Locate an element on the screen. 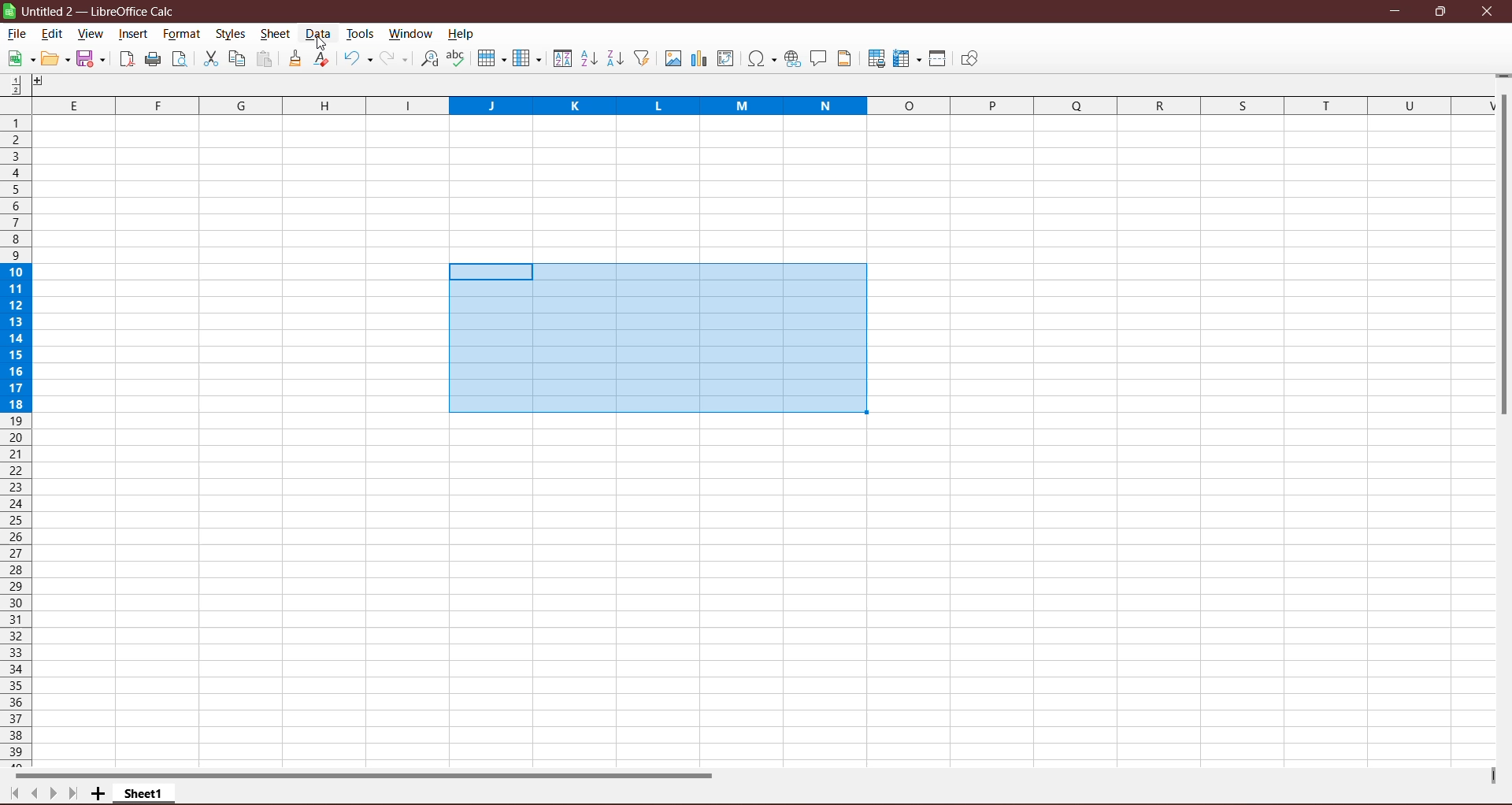  Edit is located at coordinates (56, 59).